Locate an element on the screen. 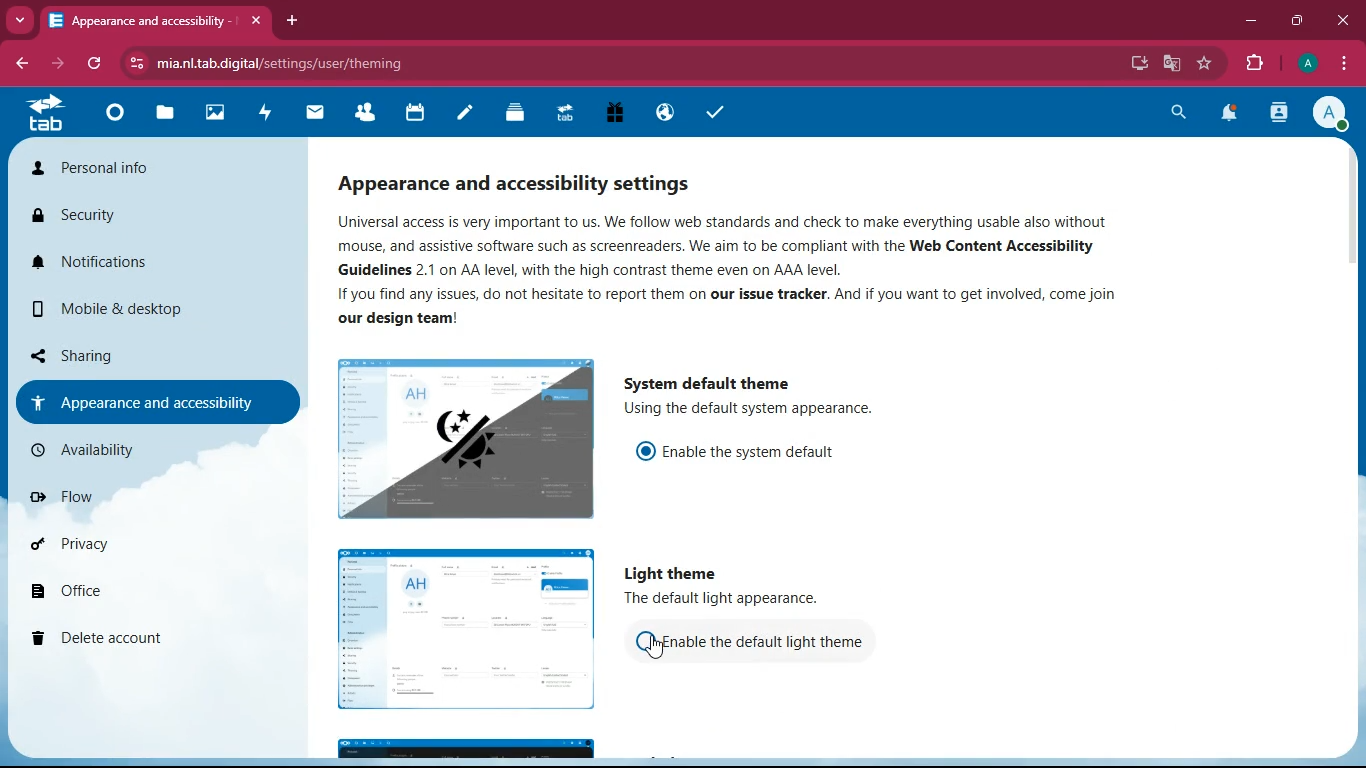  activity is located at coordinates (264, 112).